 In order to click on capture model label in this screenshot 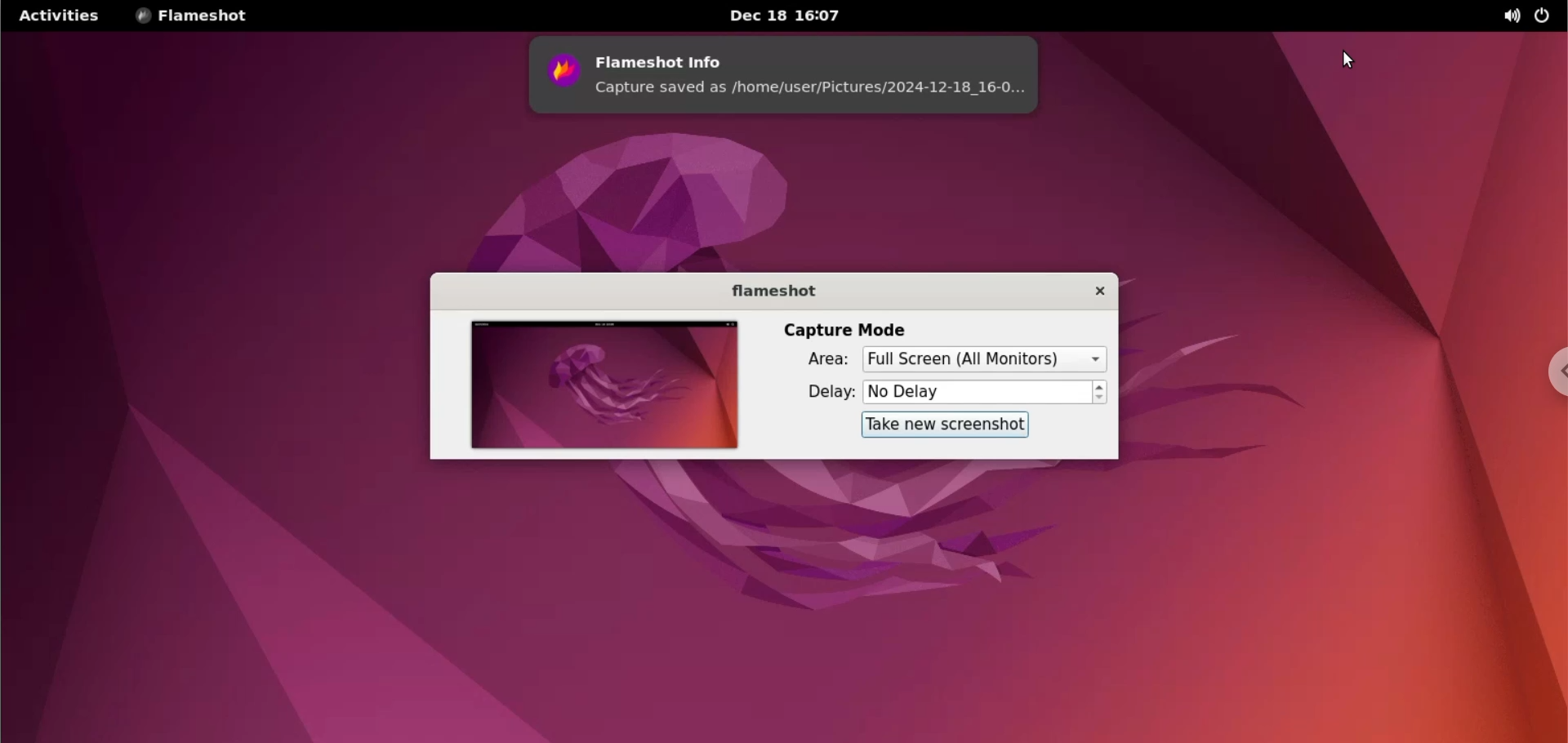, I will do `click(844, 329)`.